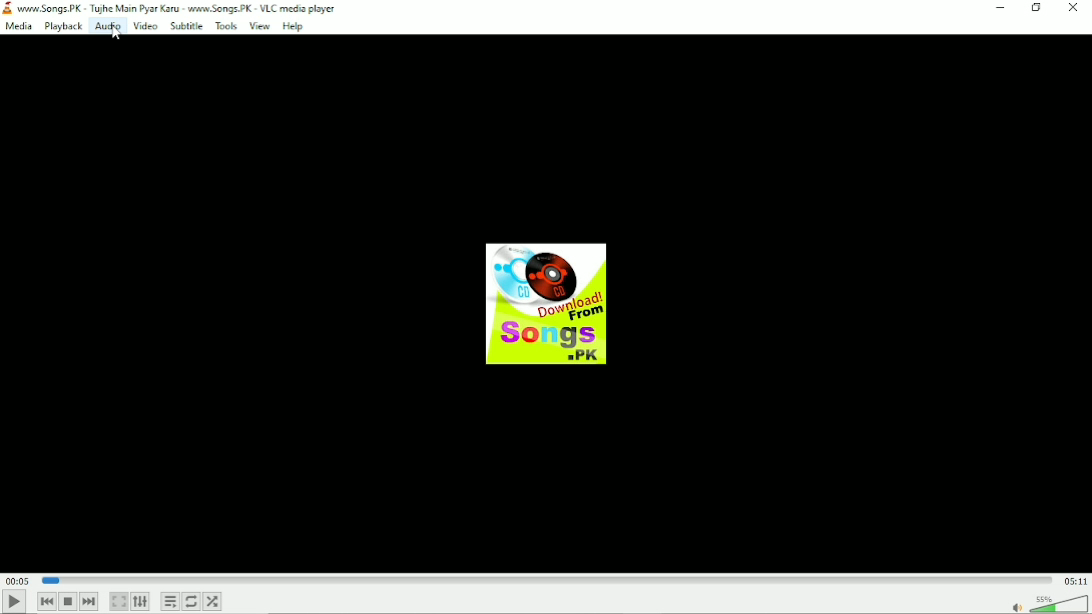 The width and height of the screenshot is (1092, 614). Describe the element at coordinates (61, 27) in the screenshot. I see `Playback` at that location.